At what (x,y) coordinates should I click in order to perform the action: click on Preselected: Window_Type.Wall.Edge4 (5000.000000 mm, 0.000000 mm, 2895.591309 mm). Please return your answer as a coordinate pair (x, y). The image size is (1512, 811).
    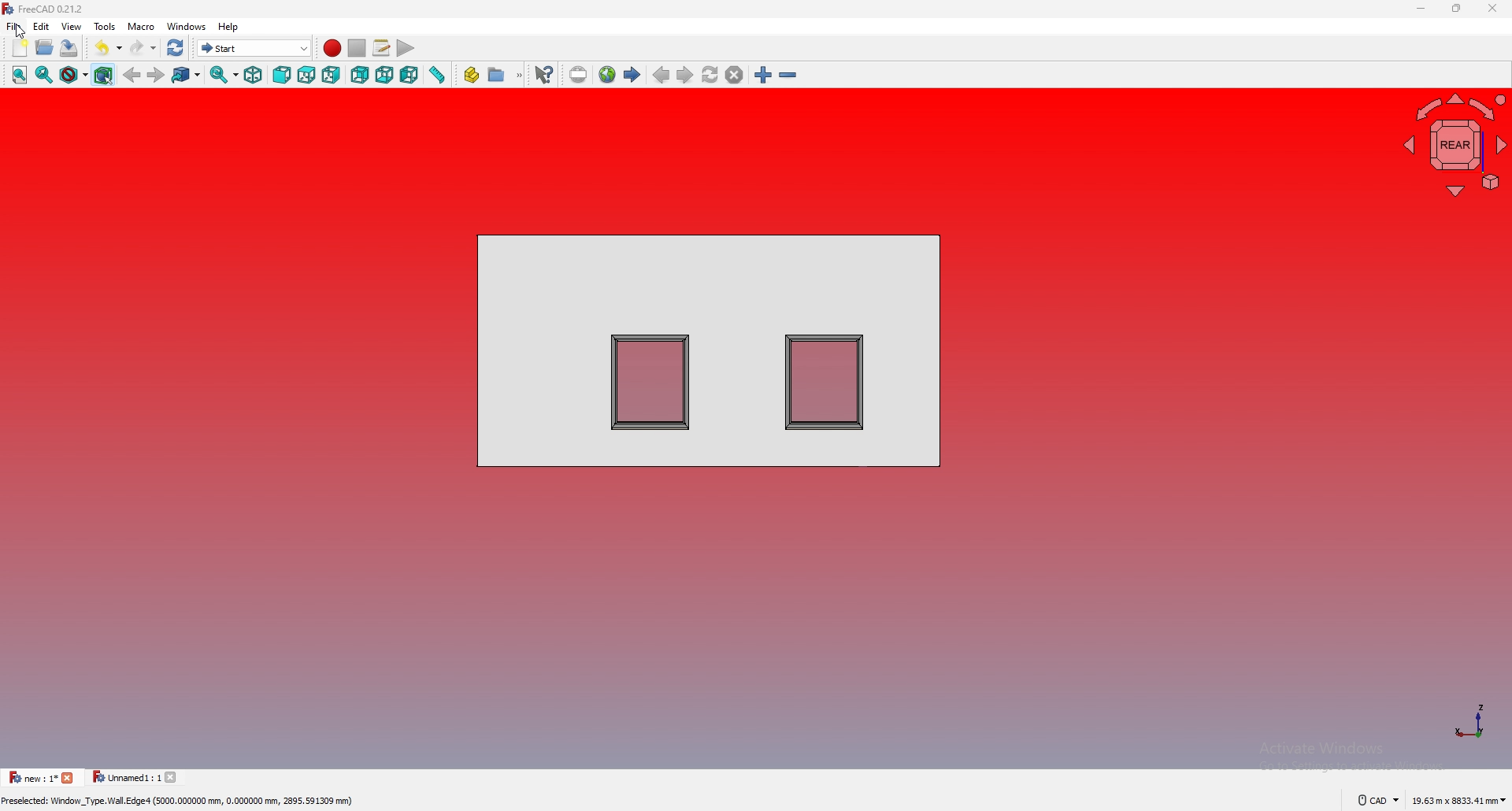
    Looking at the image, I should click on (181, 802).